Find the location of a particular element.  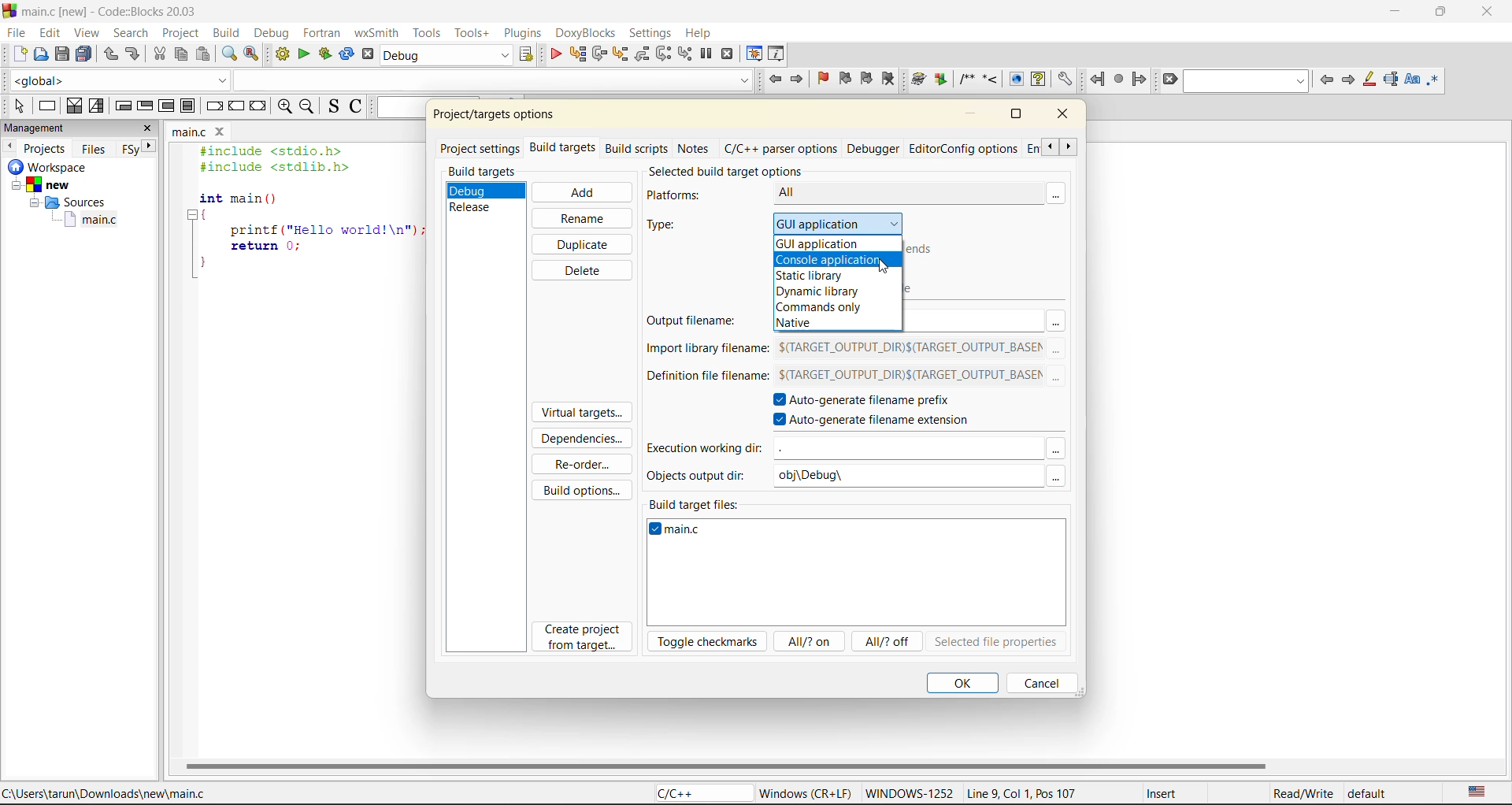

build and run is located at coordinates (324, 55).